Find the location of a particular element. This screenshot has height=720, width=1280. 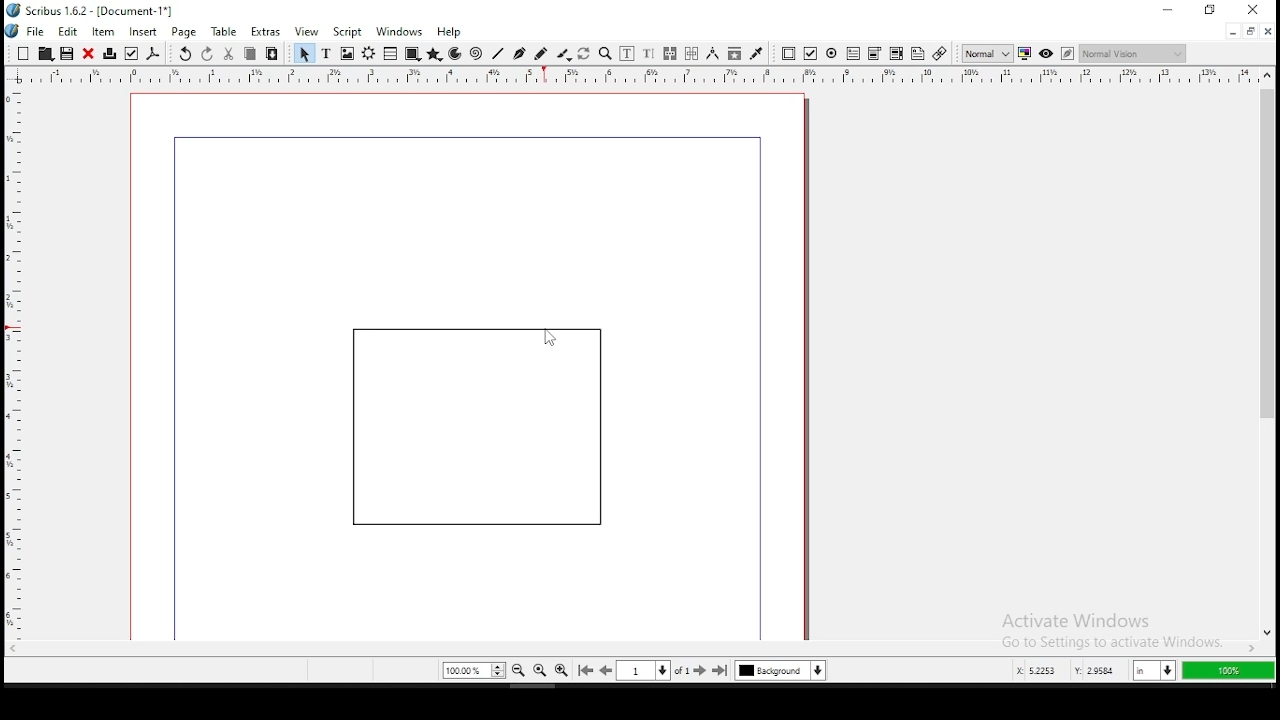

shape is located at coordinates (412, 54).